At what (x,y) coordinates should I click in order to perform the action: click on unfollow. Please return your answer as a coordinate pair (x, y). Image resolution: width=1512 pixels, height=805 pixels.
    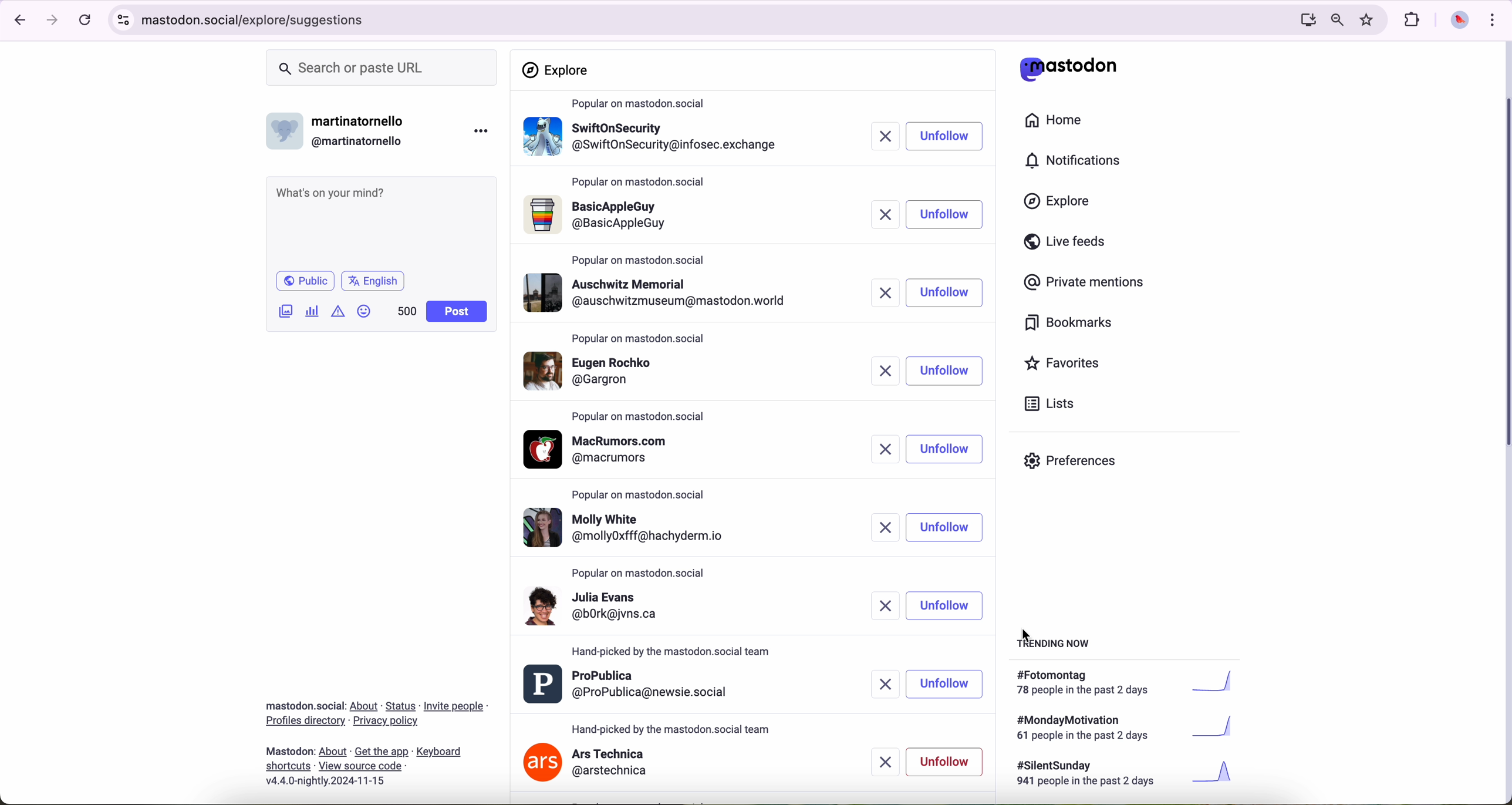
    Looking at the image, I should click on (944, 295).